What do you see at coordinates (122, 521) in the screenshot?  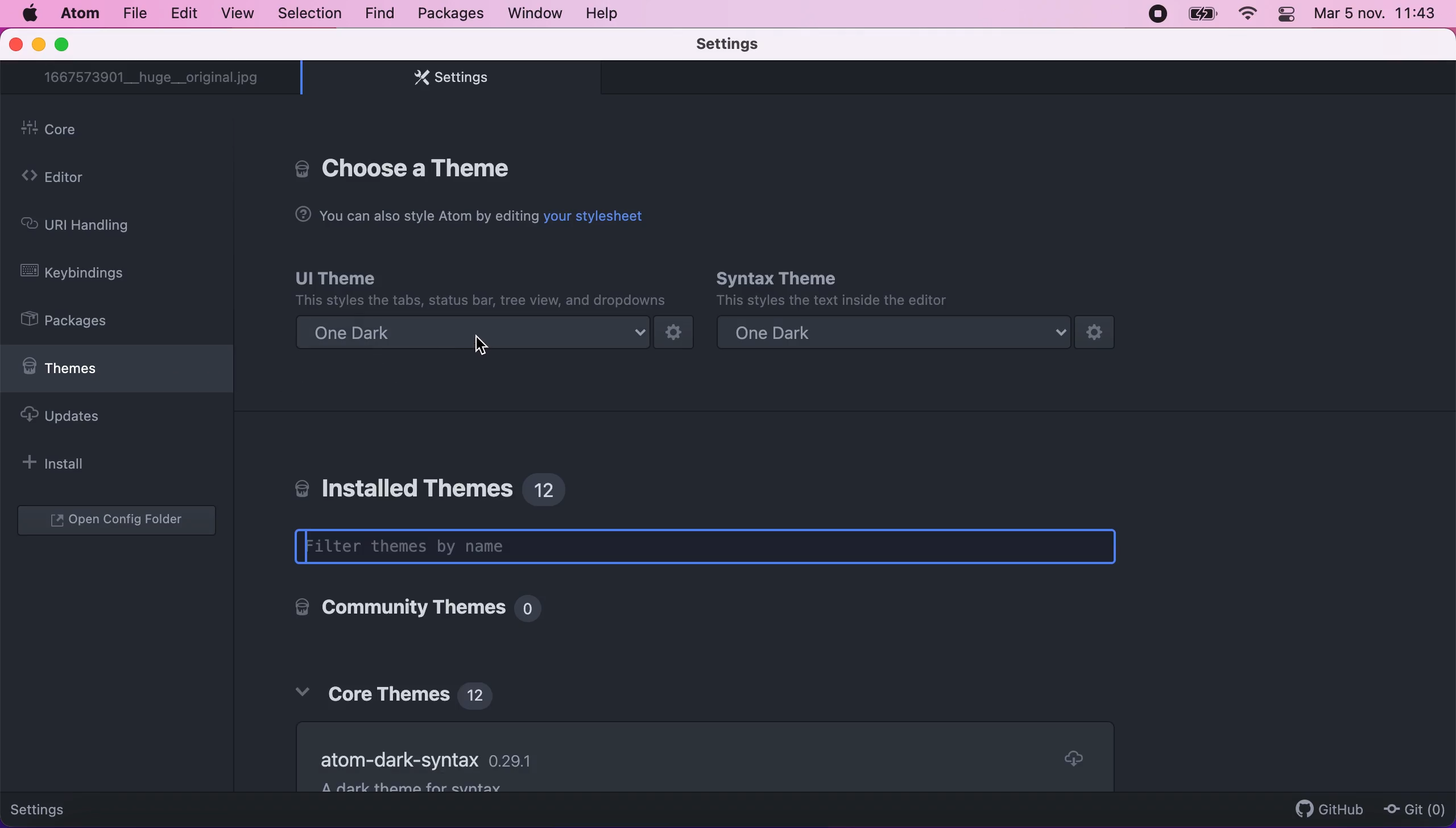 I see `open configuration folder` at bounding box center [122, 521].